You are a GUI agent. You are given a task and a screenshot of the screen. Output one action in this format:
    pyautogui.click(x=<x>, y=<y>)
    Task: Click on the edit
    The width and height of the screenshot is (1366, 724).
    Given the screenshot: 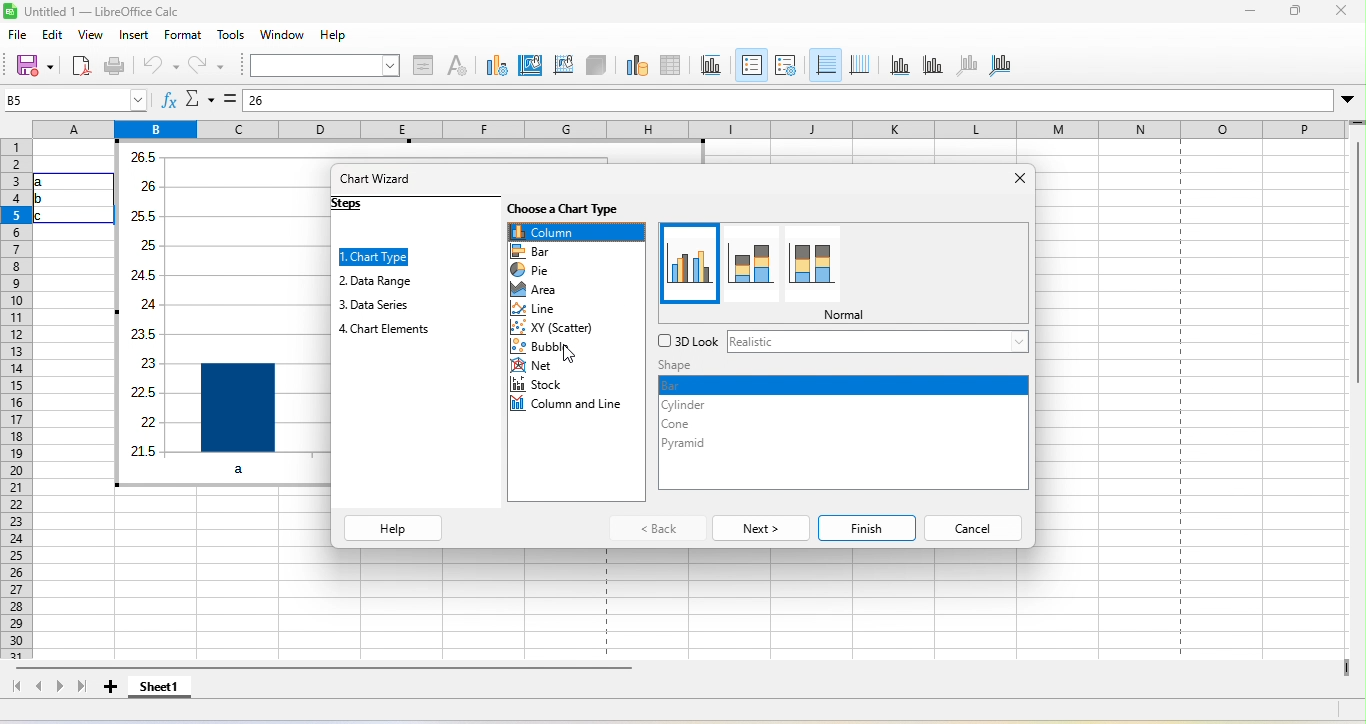 What is the action you would take?
    pyautogui.click(x=55, y=37)
    